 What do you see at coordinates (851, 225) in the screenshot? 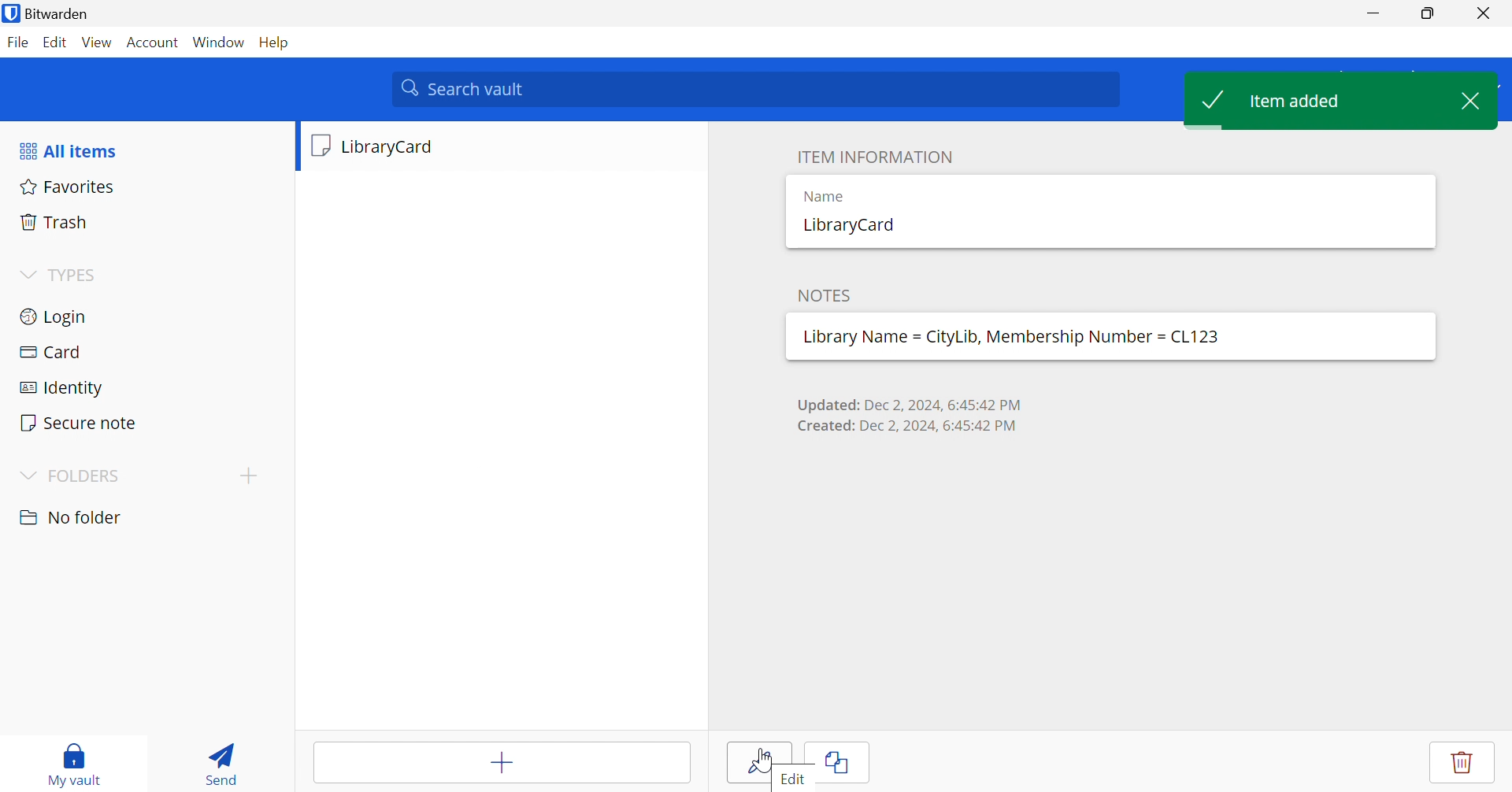
I see `LibraryCard` at bounding box center [851, 225].